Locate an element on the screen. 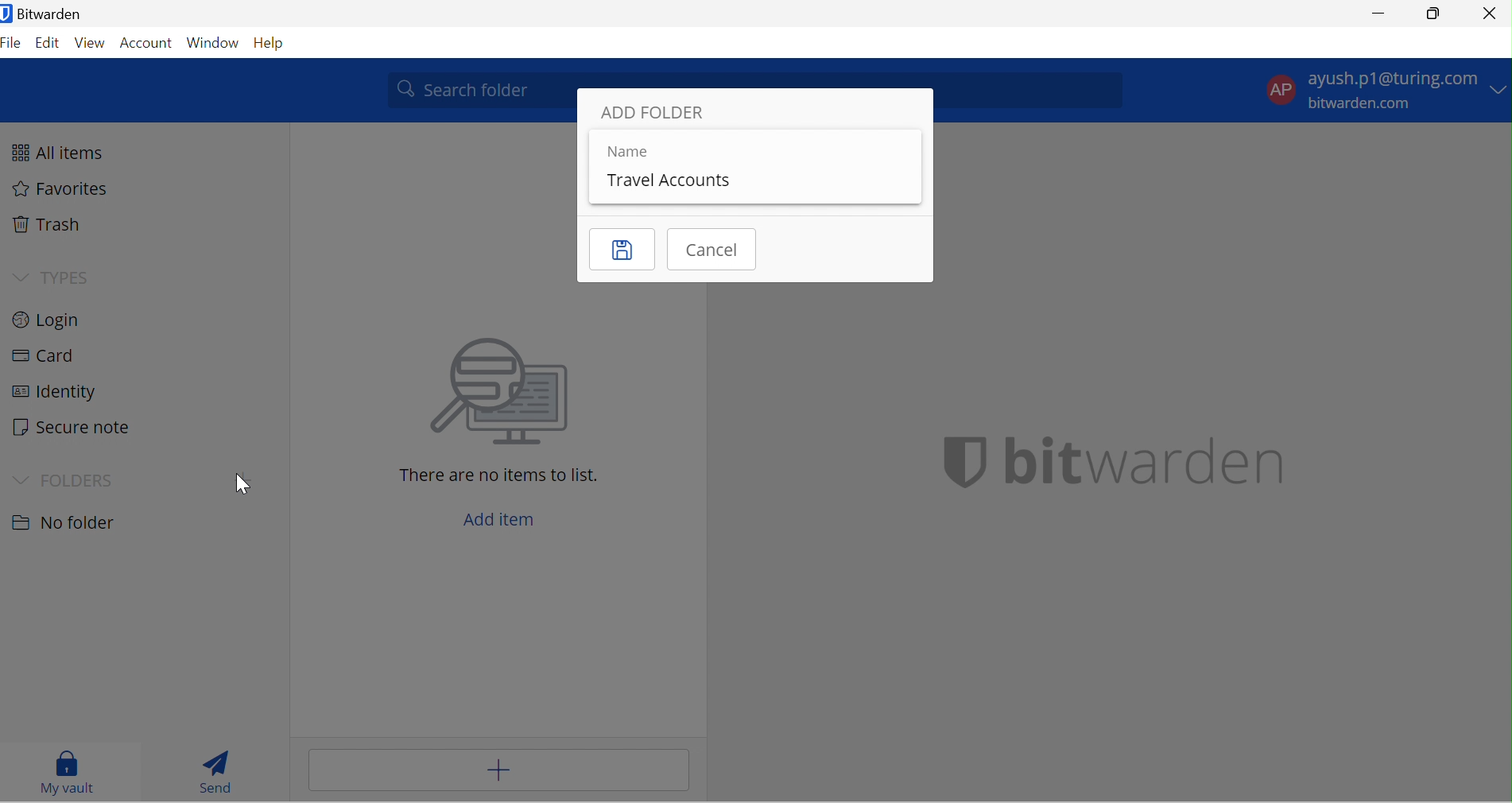 This screenshot has width=1512, height=803. Trash is located at coordinates (53, 226).